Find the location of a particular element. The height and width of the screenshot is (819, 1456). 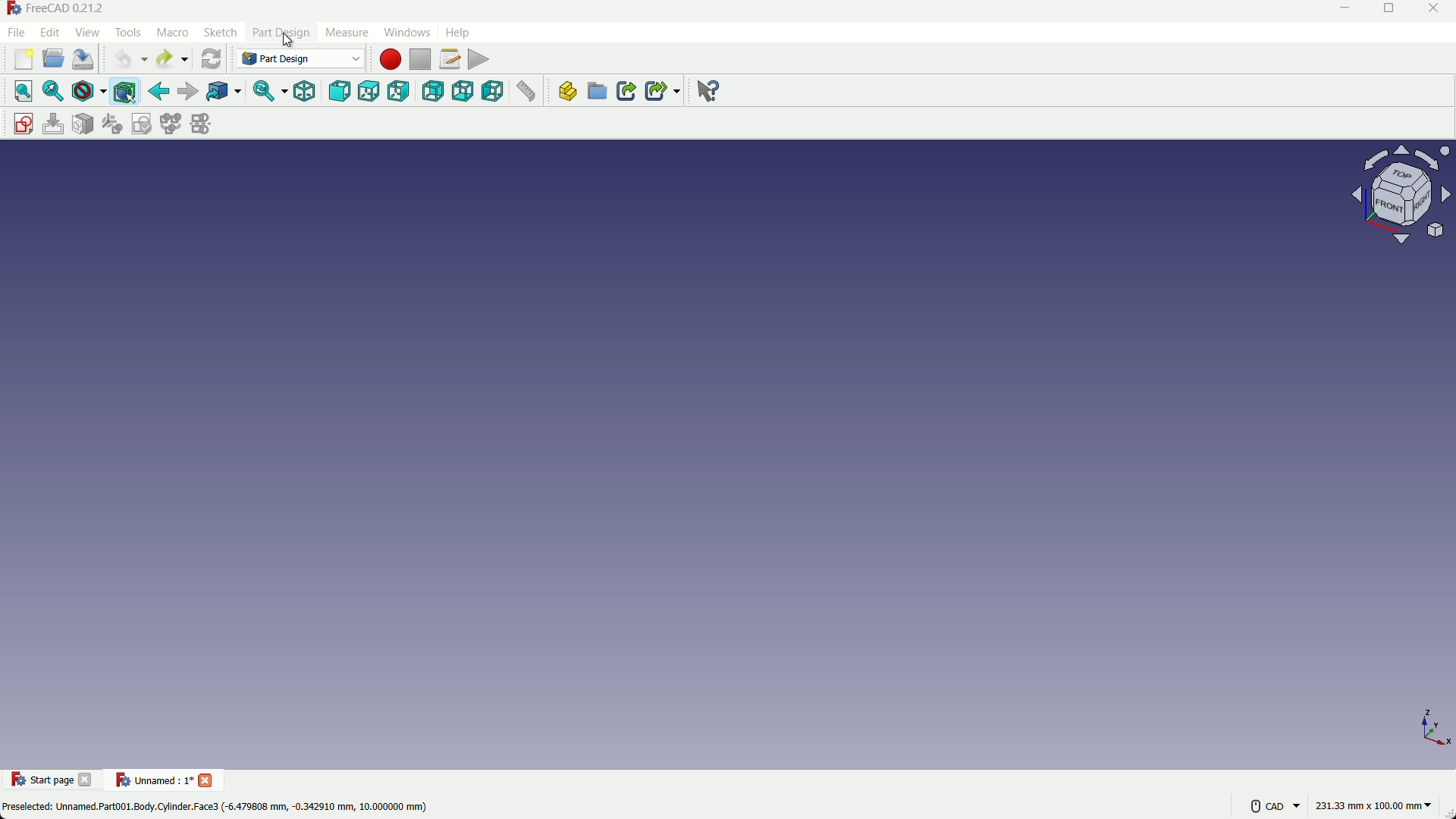

logo is located at coordinates (17, 777).